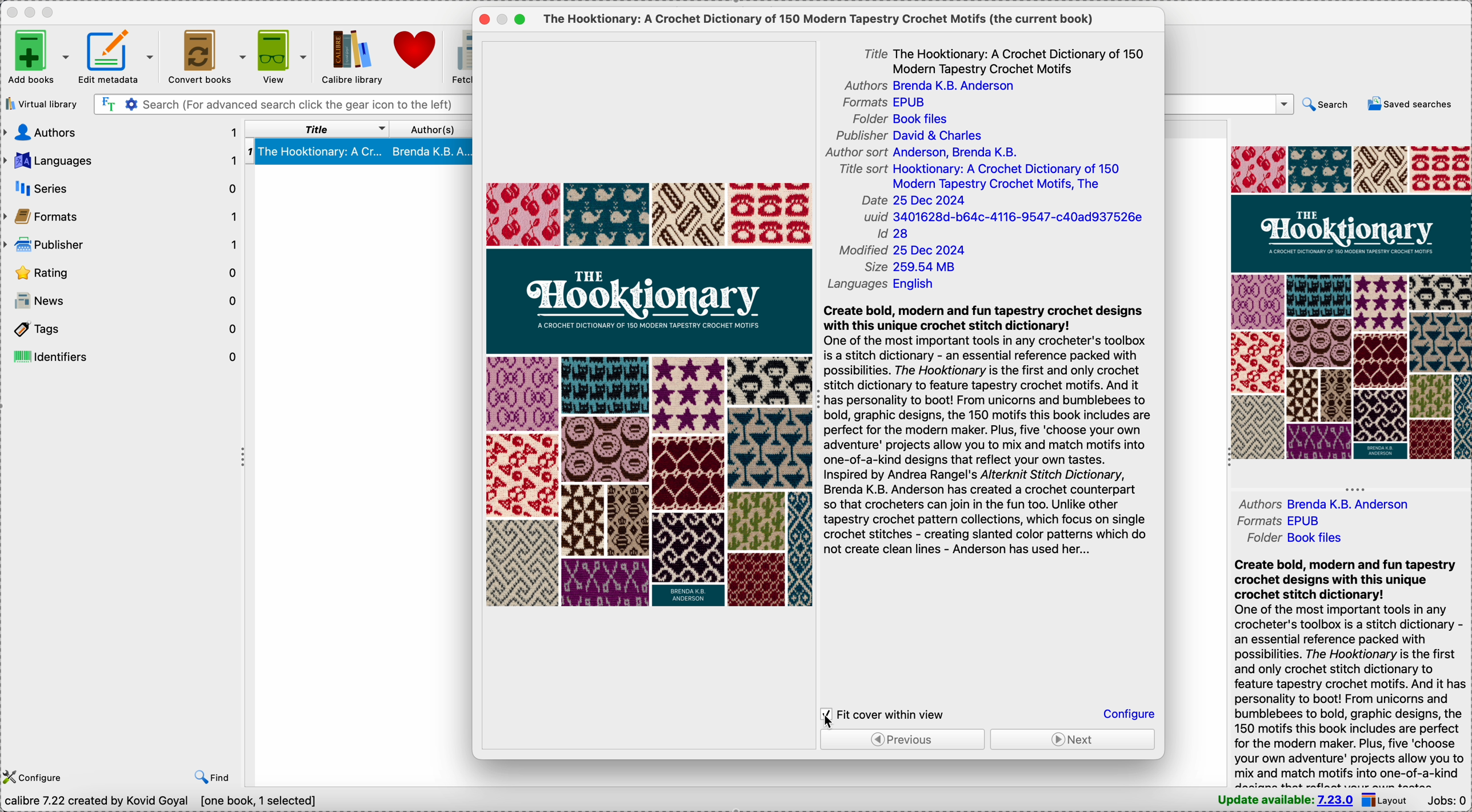 This screenshot has width=1472, height=812. I want to click on cursor, so click(830, 724).